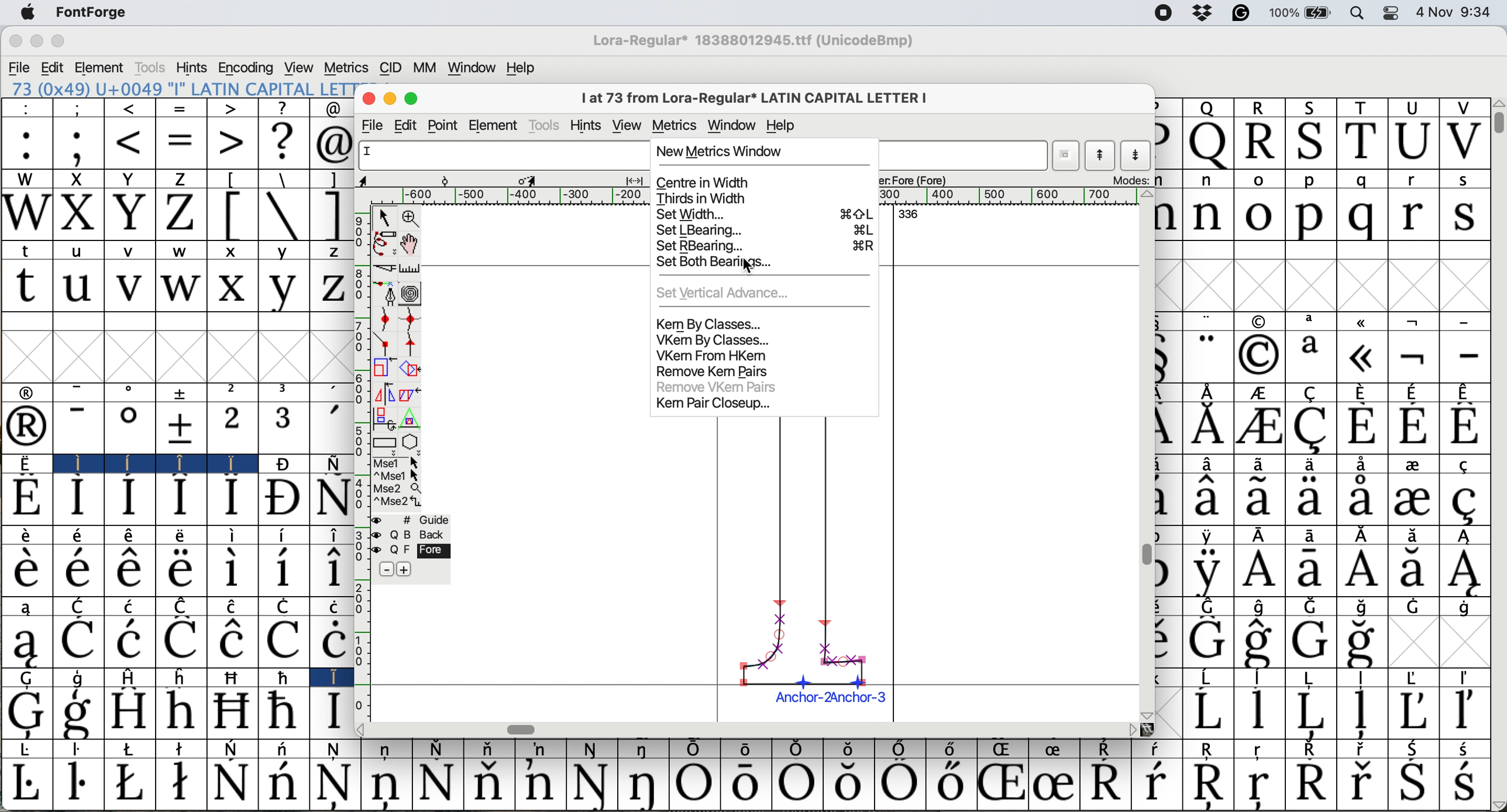  What do you see at coordinates (247, 67) in the screenshot?
I see `encoding` at bounding box center [247, 67].